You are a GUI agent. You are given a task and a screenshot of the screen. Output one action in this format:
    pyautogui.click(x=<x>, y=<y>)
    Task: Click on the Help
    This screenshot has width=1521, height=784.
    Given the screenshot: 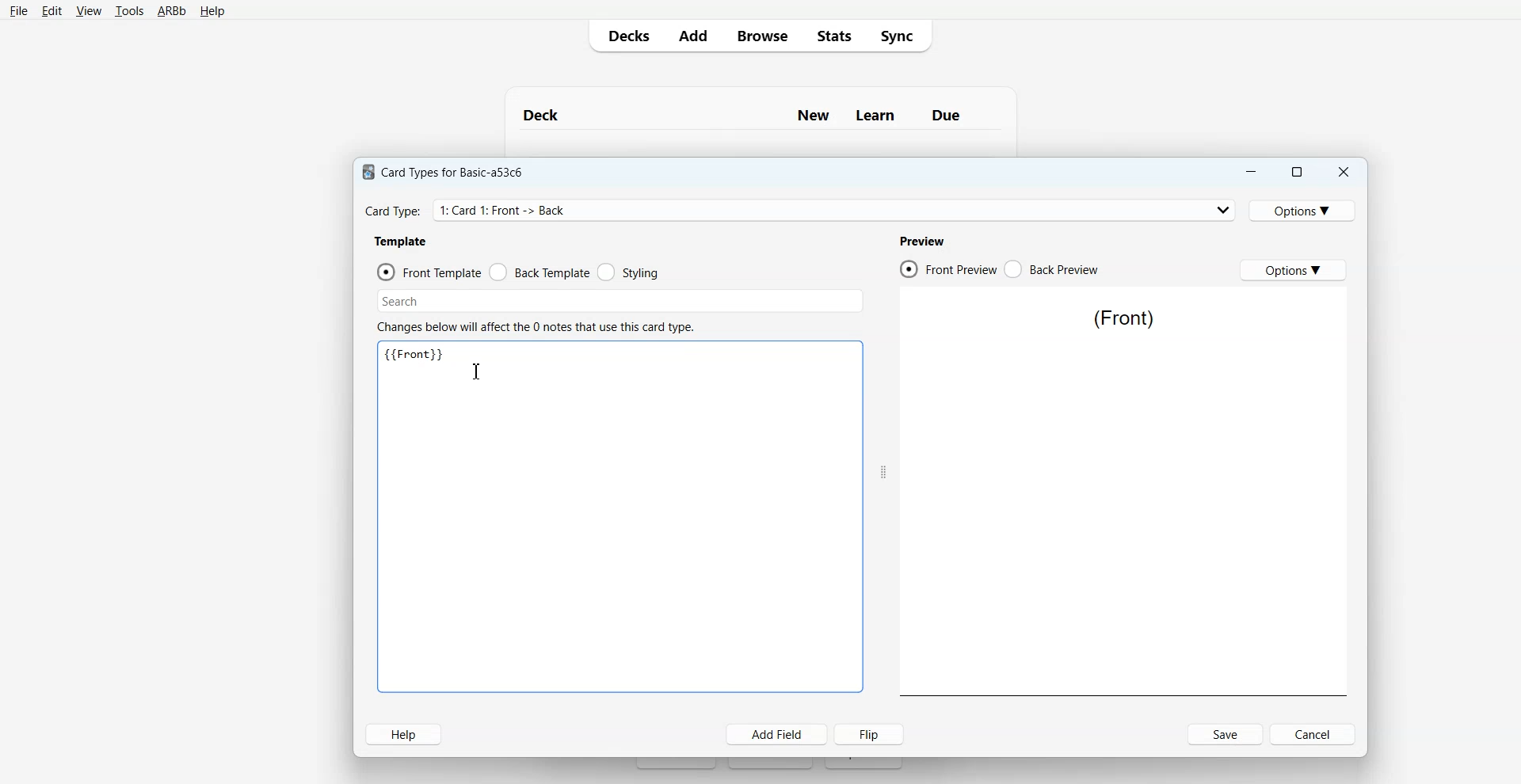 What is the action you would take?
    pyautogui.click(x=212, y=12)
    